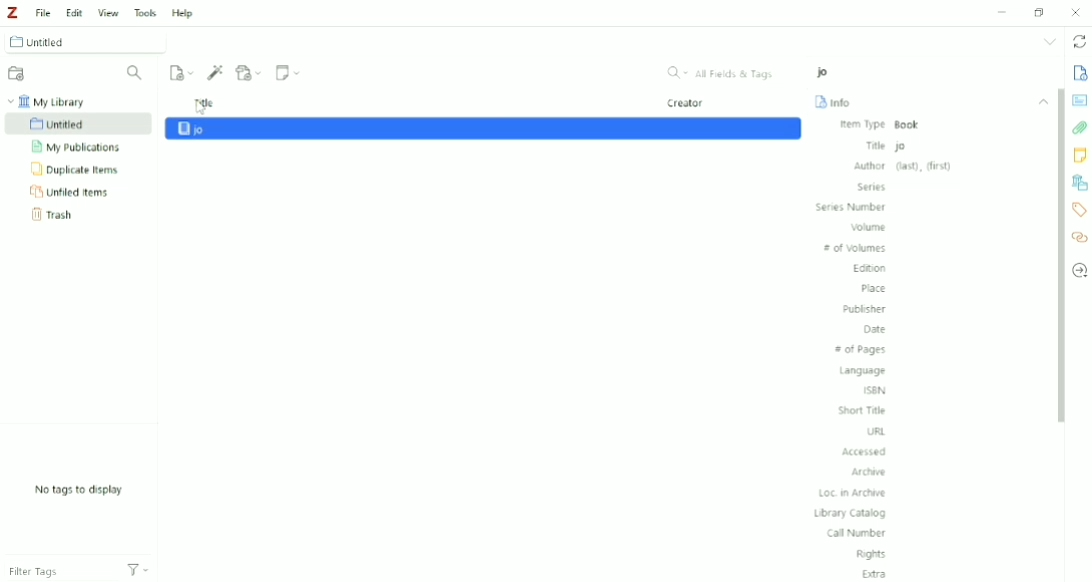 Image resolution: width=1092 pixels, height=582 pixels. Describe the element at coordinates (722, 73) in the screenshot. I see `All Fields & Tags` at that location.